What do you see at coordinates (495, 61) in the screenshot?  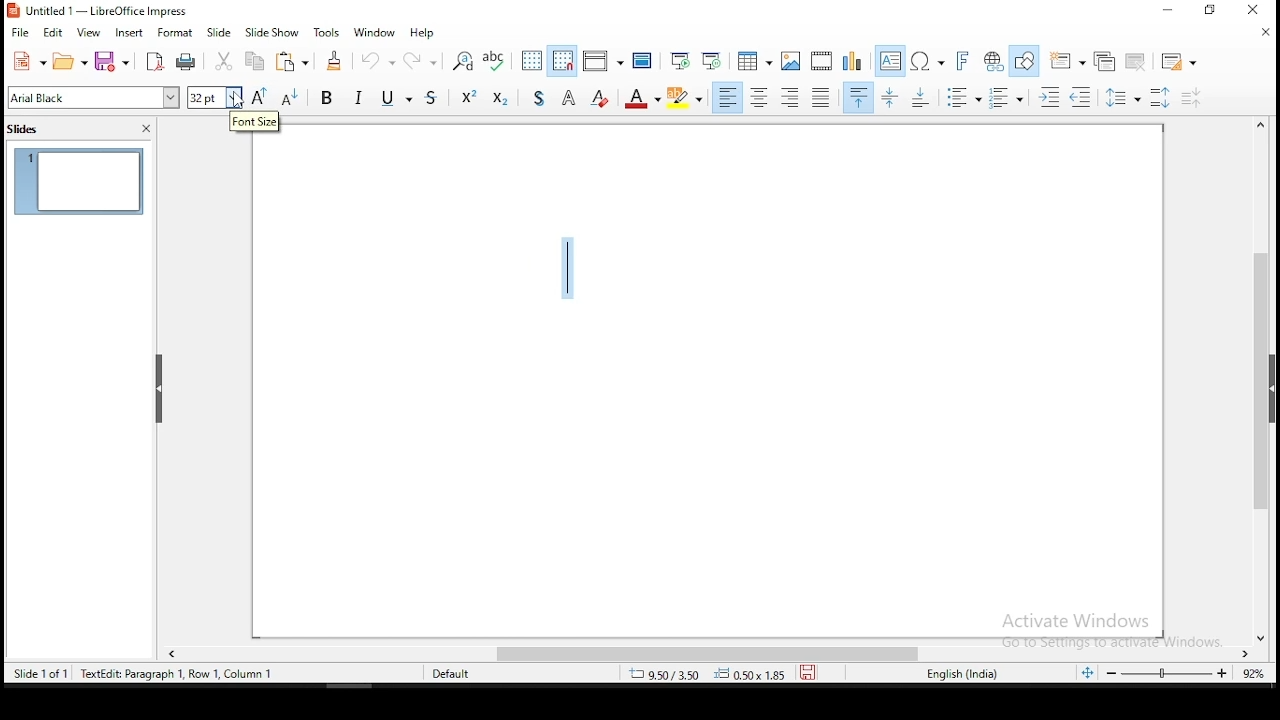 I see `spell check` at bounding box center [495, 61].